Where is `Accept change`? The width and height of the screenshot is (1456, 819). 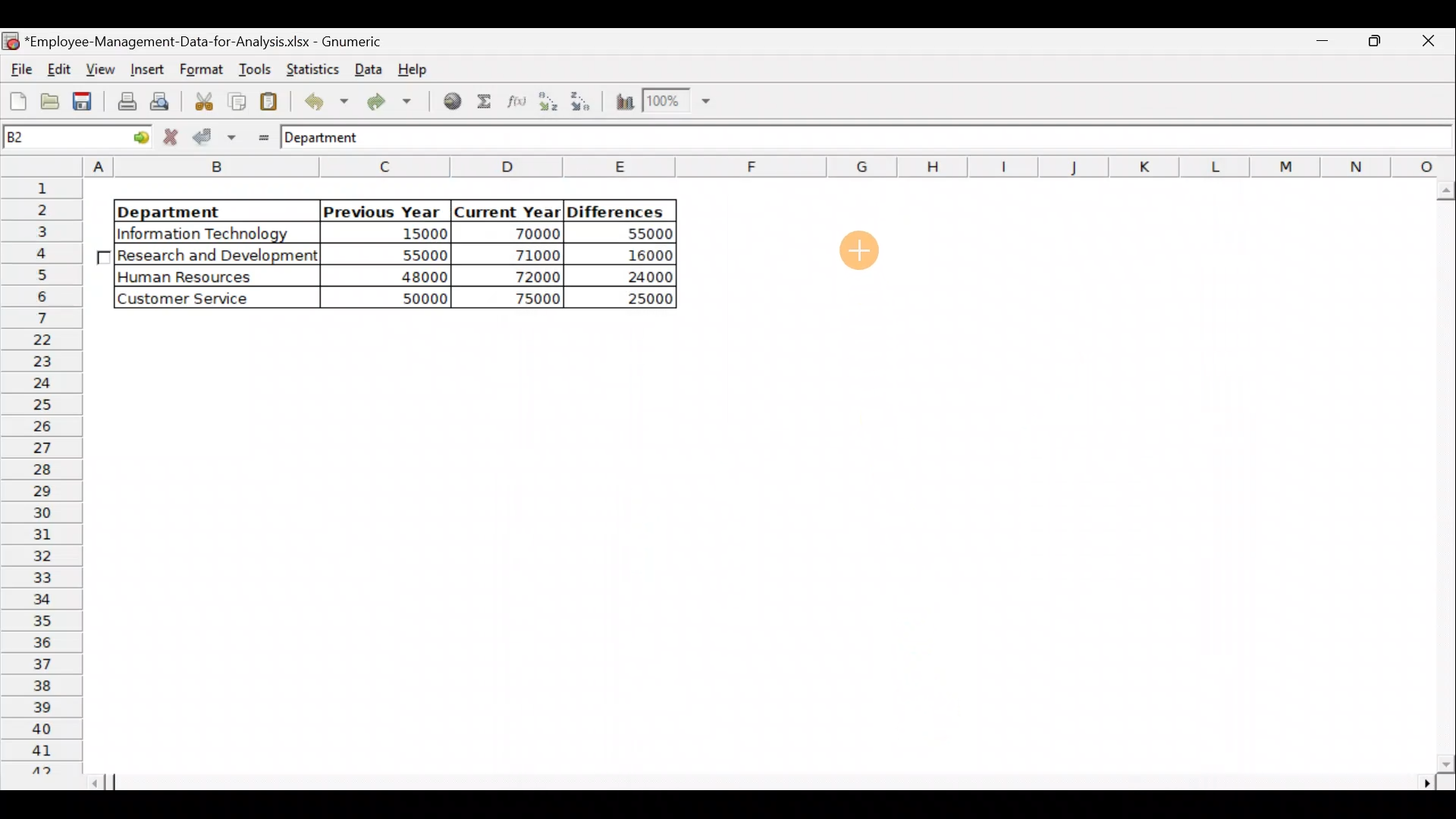 Accept change is located at coordinates (215, 137).